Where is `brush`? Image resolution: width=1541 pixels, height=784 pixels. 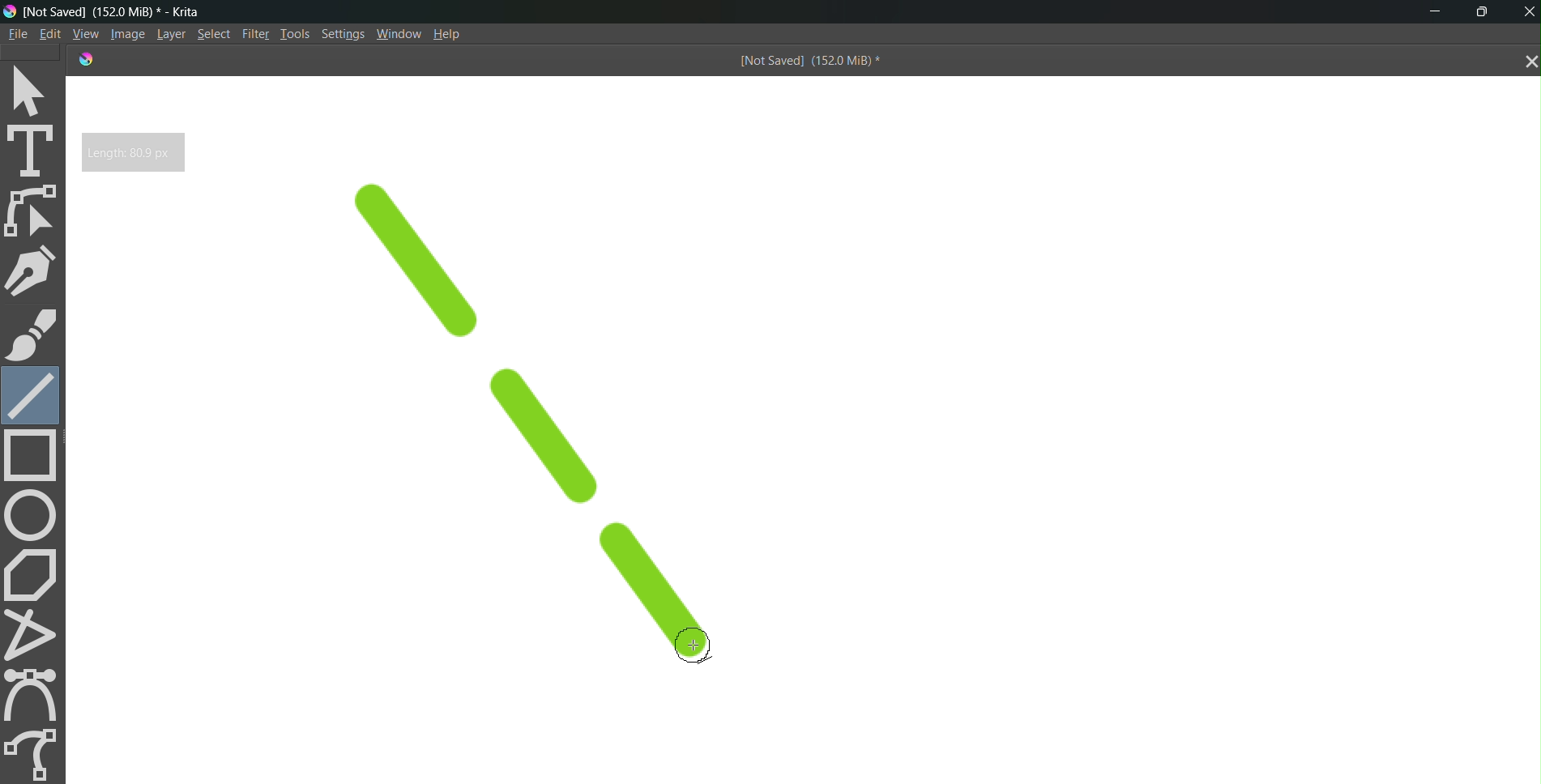 brush is located at coordinates (32, 334).